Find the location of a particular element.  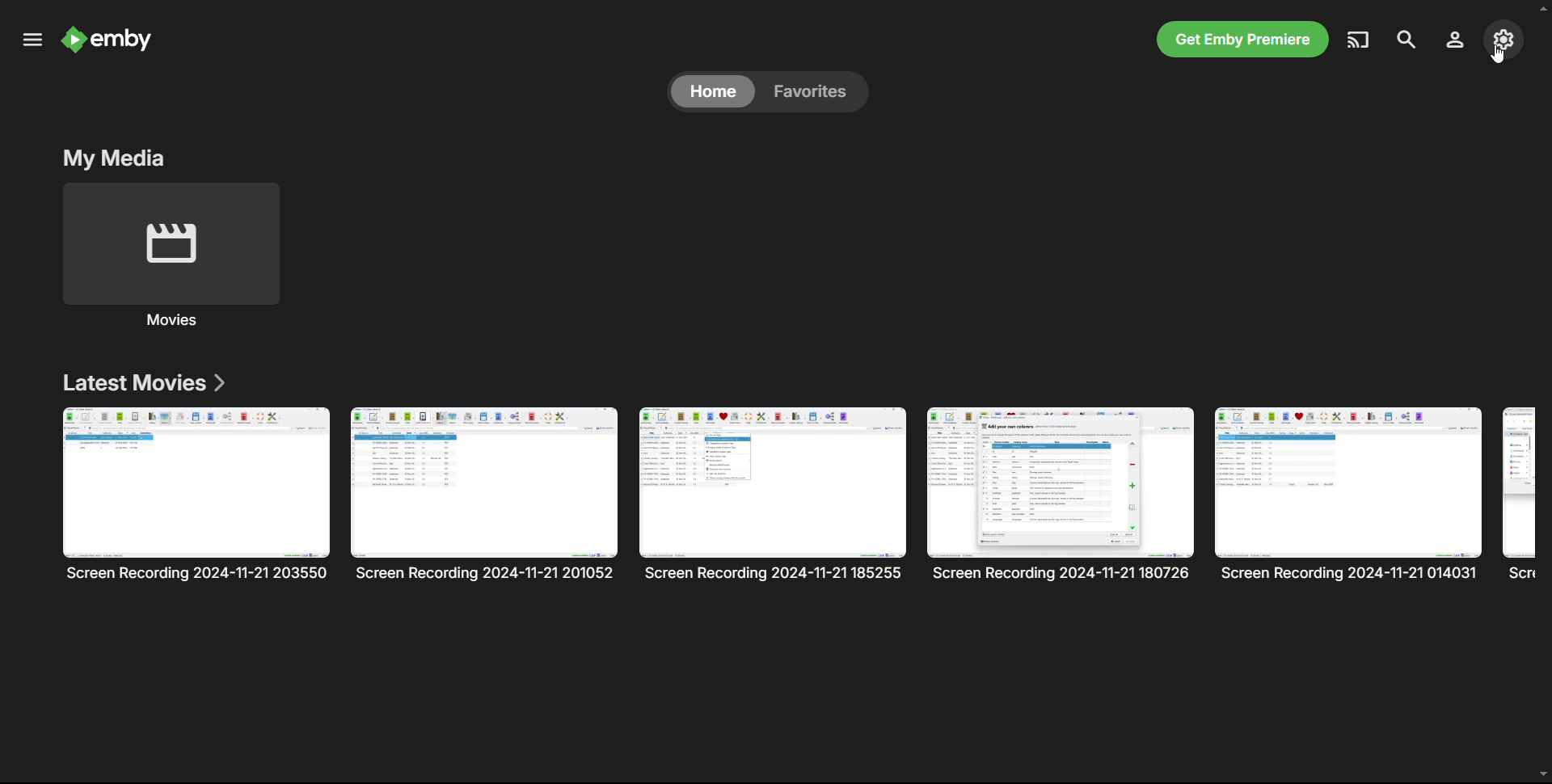

Screen Recording 2024-11-21 185255 is located at coordinates (774, 495).